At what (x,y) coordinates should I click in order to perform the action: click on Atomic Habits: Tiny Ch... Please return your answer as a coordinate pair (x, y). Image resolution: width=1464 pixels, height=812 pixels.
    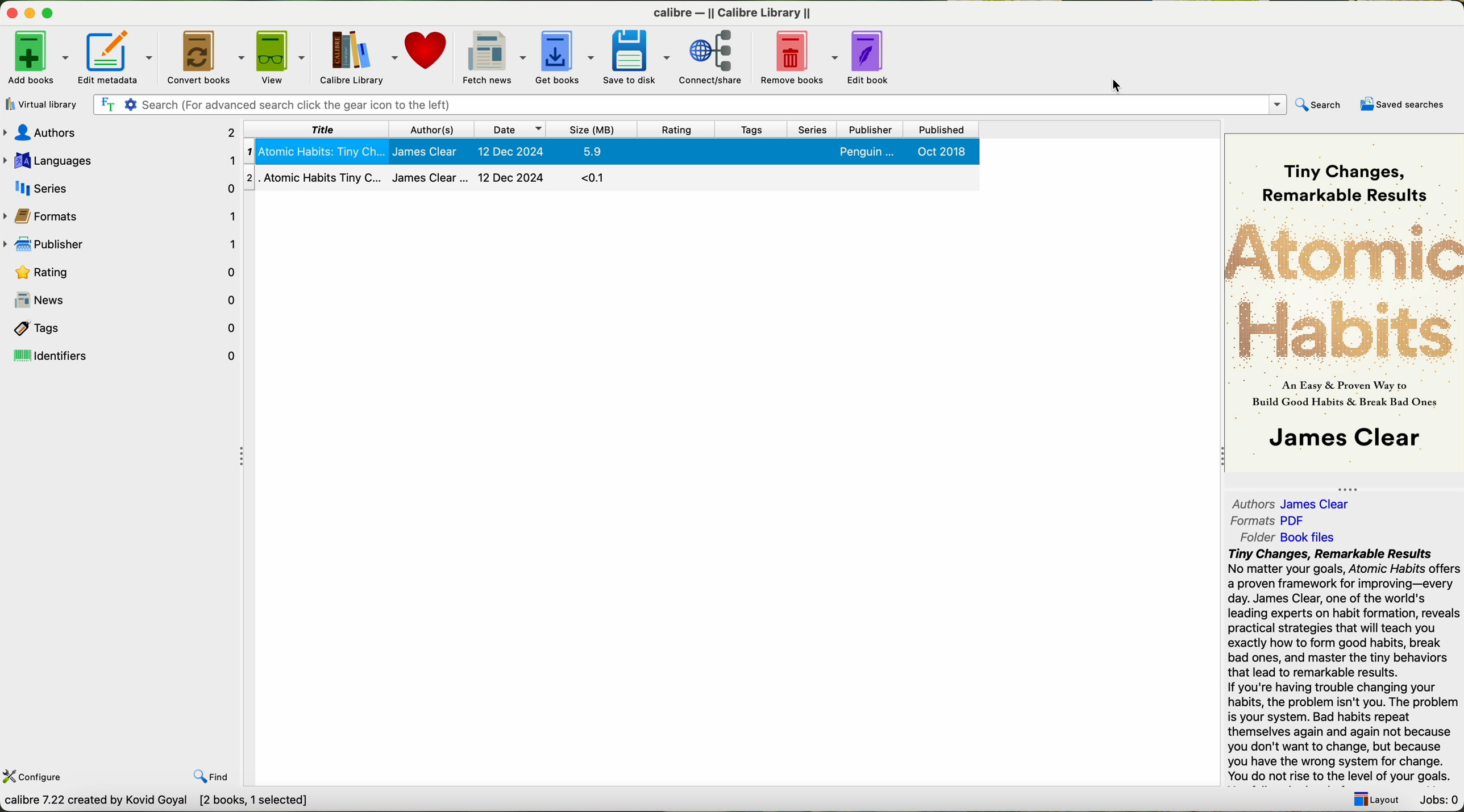
    Looking at the image, I should click on (314, 153).